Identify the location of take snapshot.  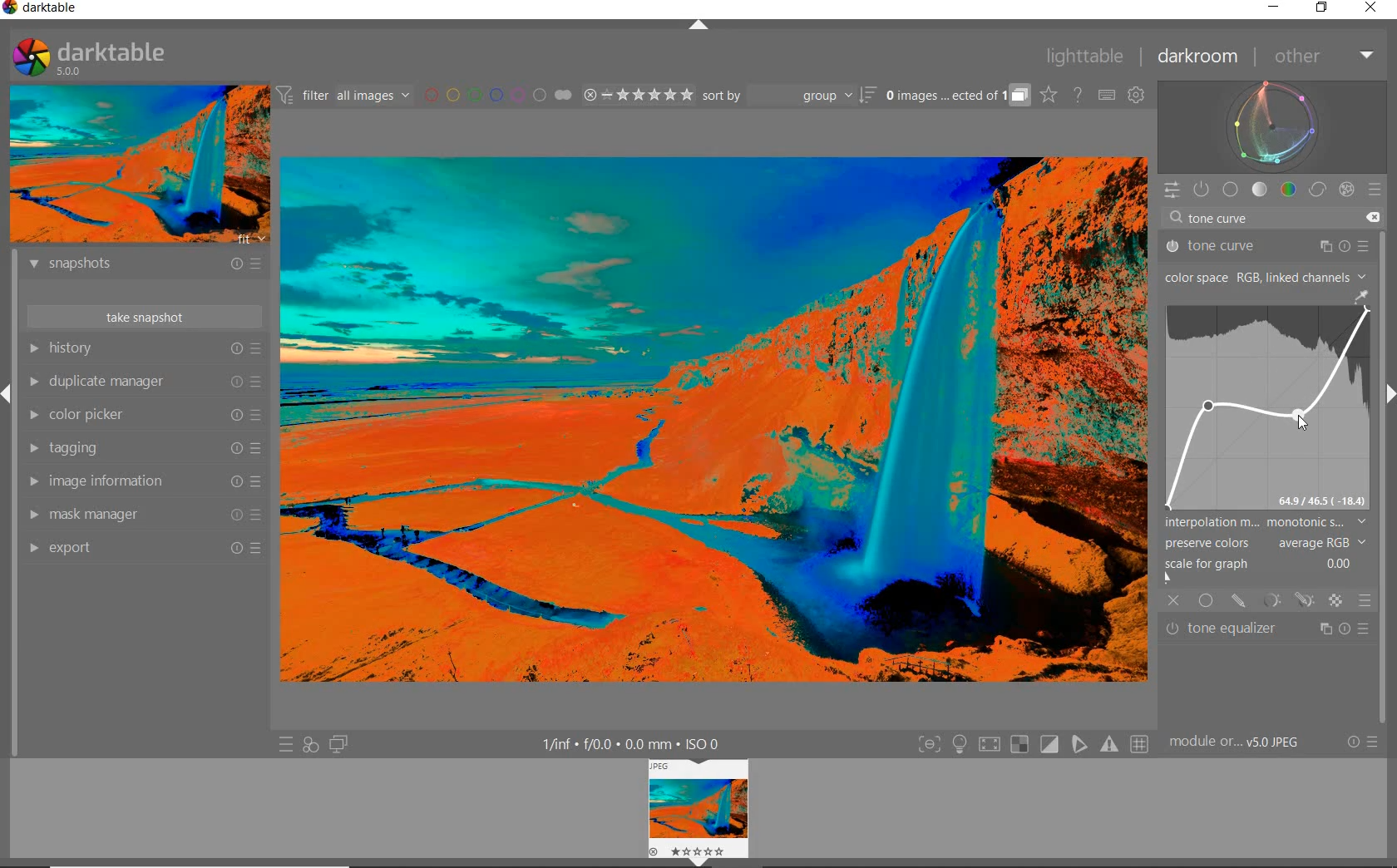
(144, 315).